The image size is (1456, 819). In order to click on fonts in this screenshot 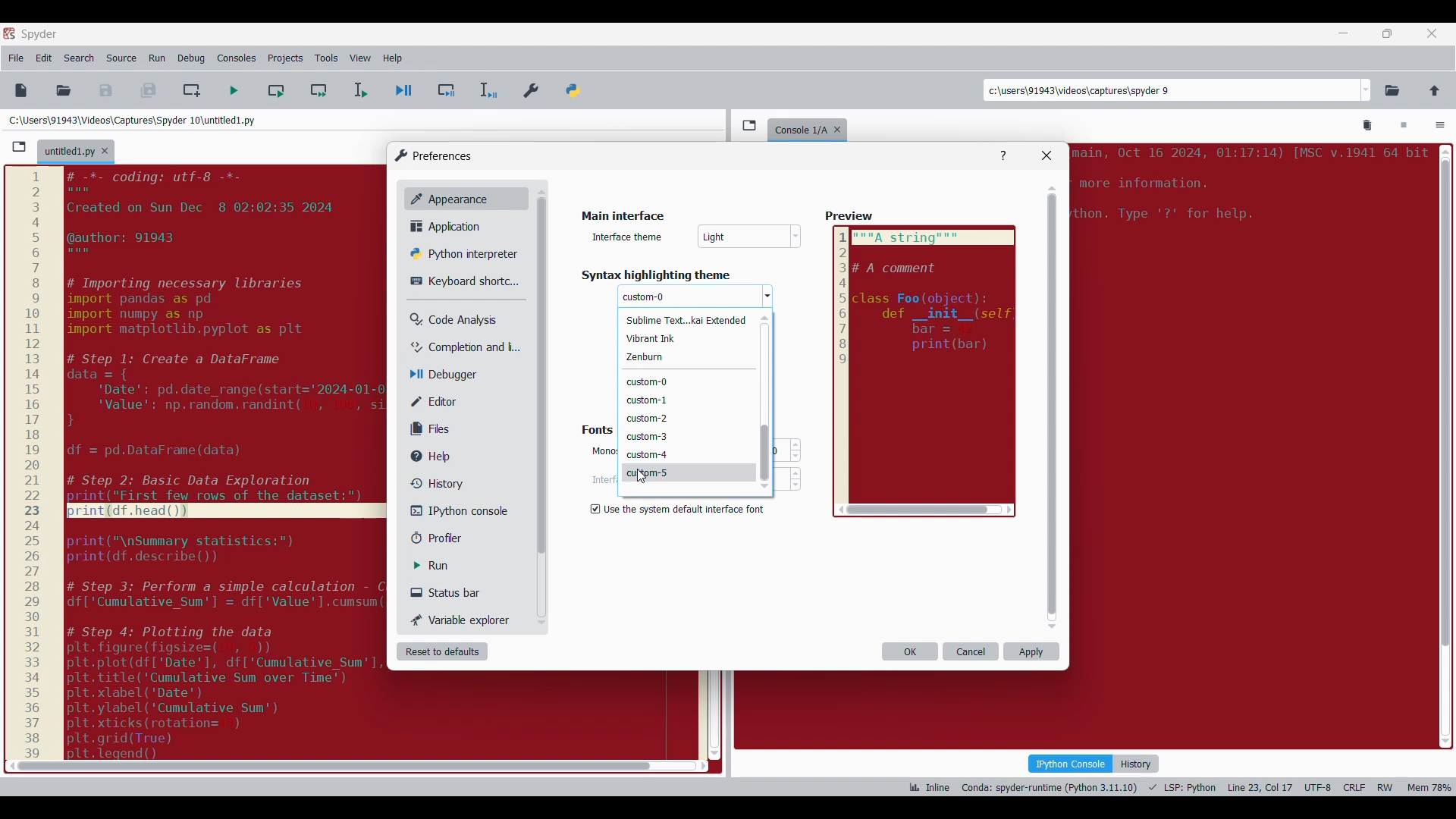, I will do `click(595, 428)`.